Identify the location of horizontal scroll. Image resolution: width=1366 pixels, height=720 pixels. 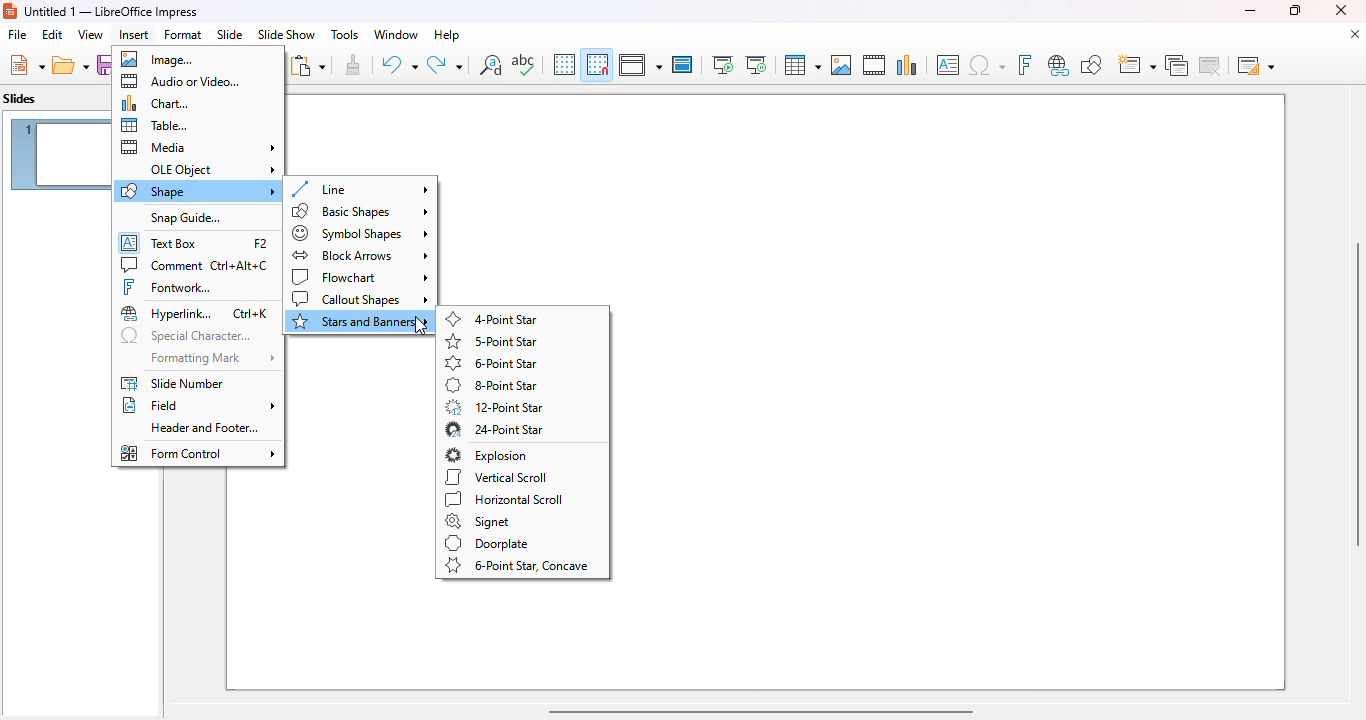
(506, 499).